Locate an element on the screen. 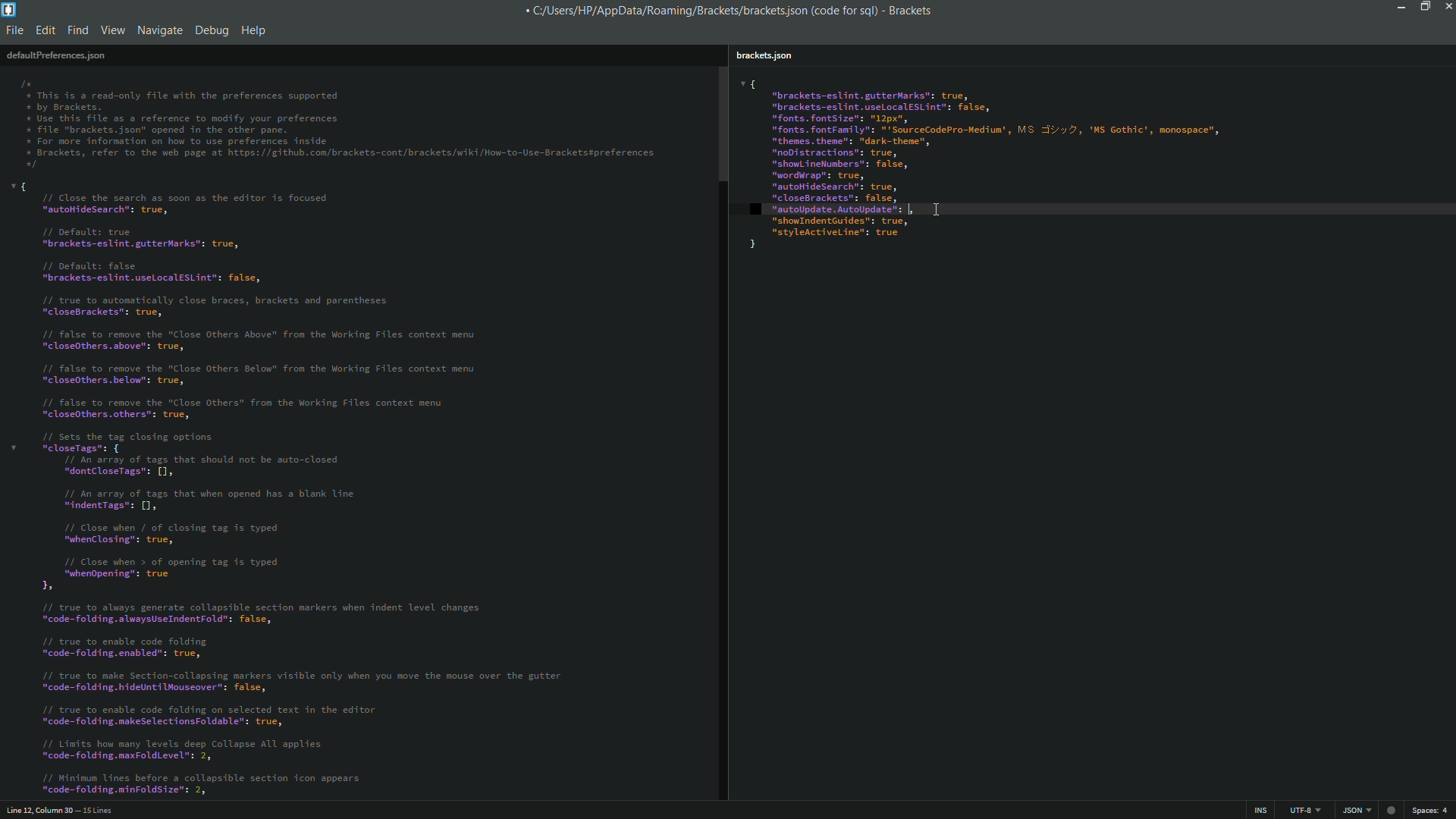 The width and height of the screenshot is (1456, 819). brackets.json is located at coordinates (763, 56).